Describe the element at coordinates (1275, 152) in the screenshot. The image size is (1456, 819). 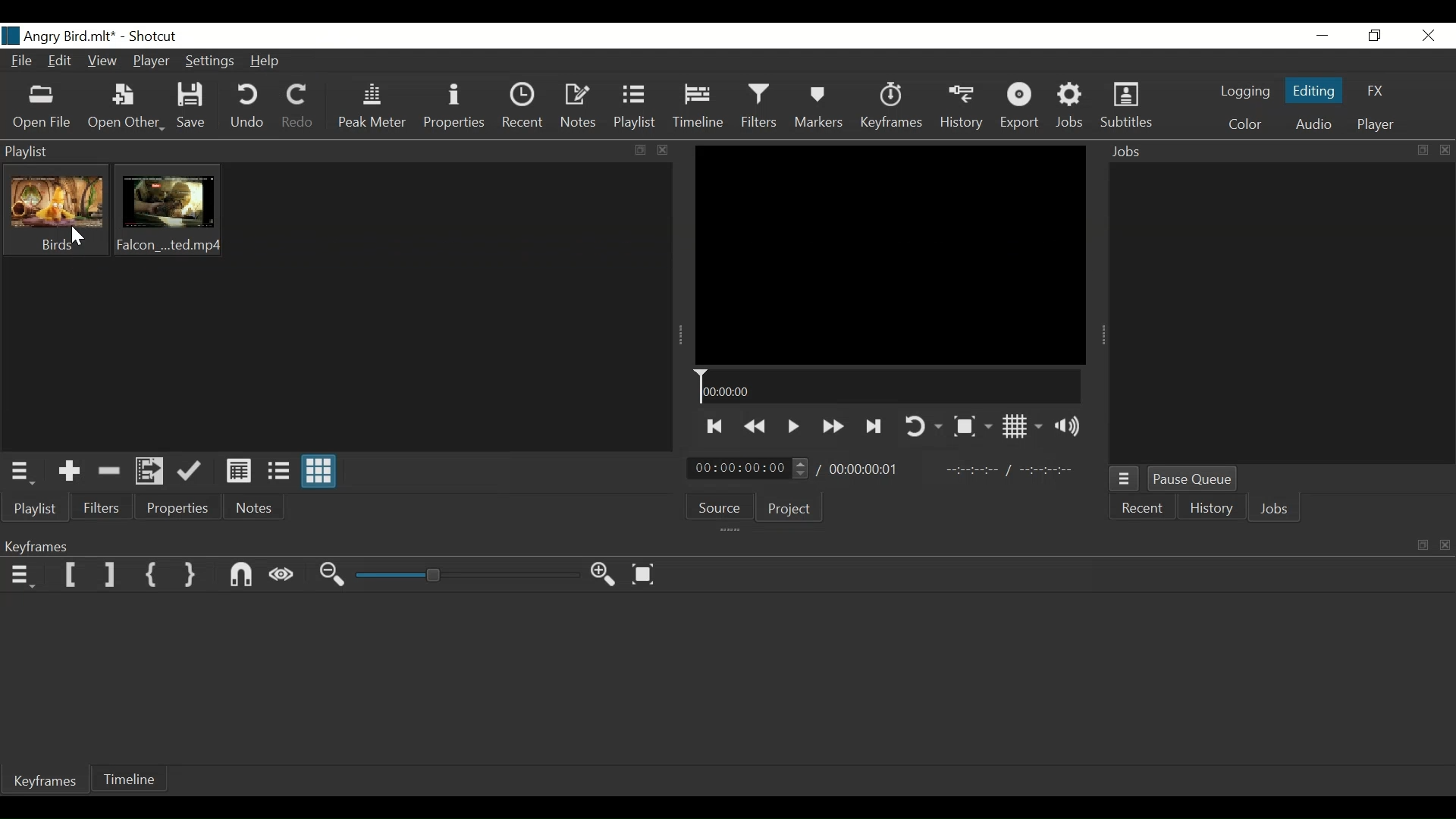
I see `Jobs Panel` at that location.